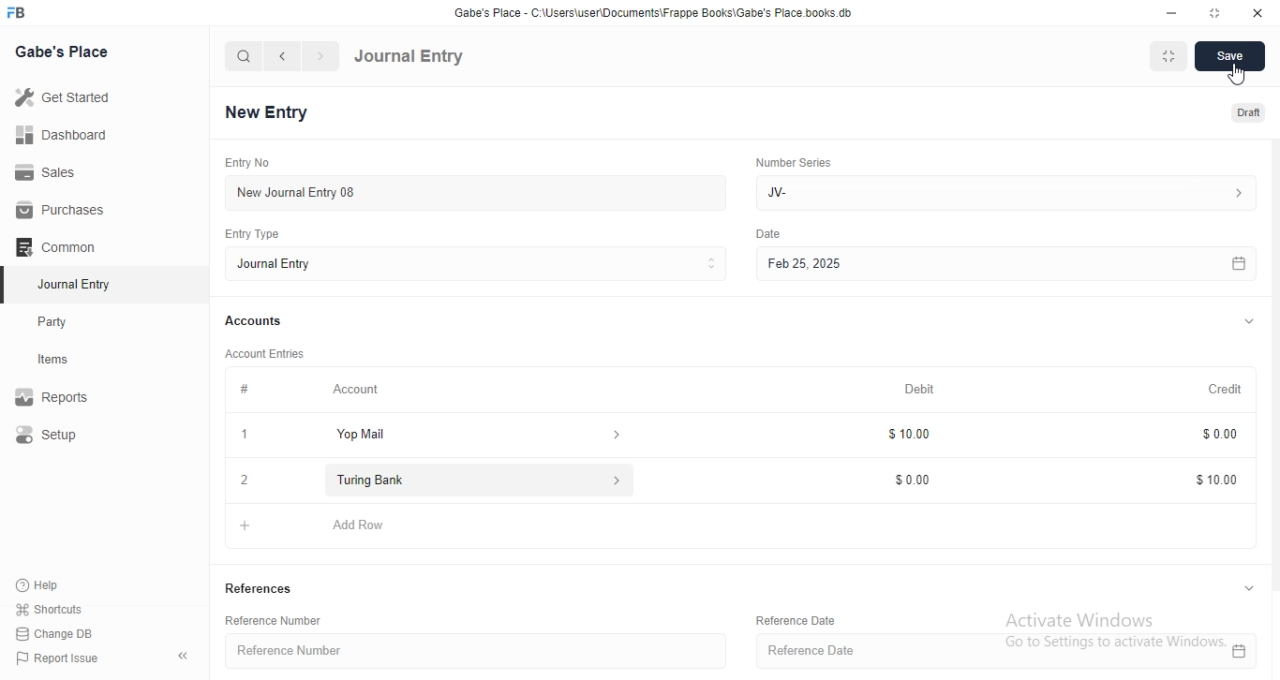 The image size is (1280, 680). I want to click on expand/collapse, so click(1242, 590).